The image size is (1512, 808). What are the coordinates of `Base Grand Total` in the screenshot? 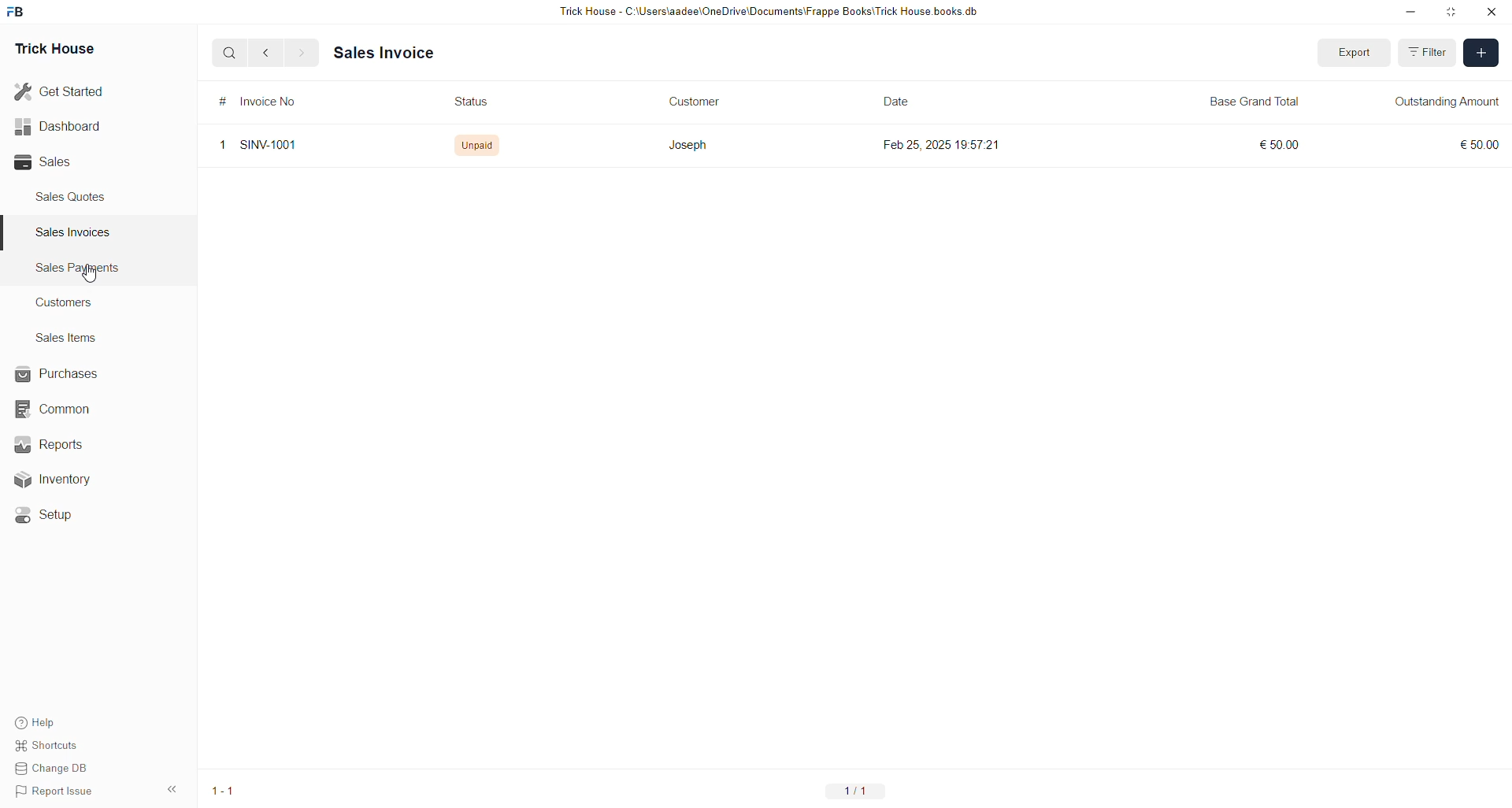 It's located at (1258, 102).